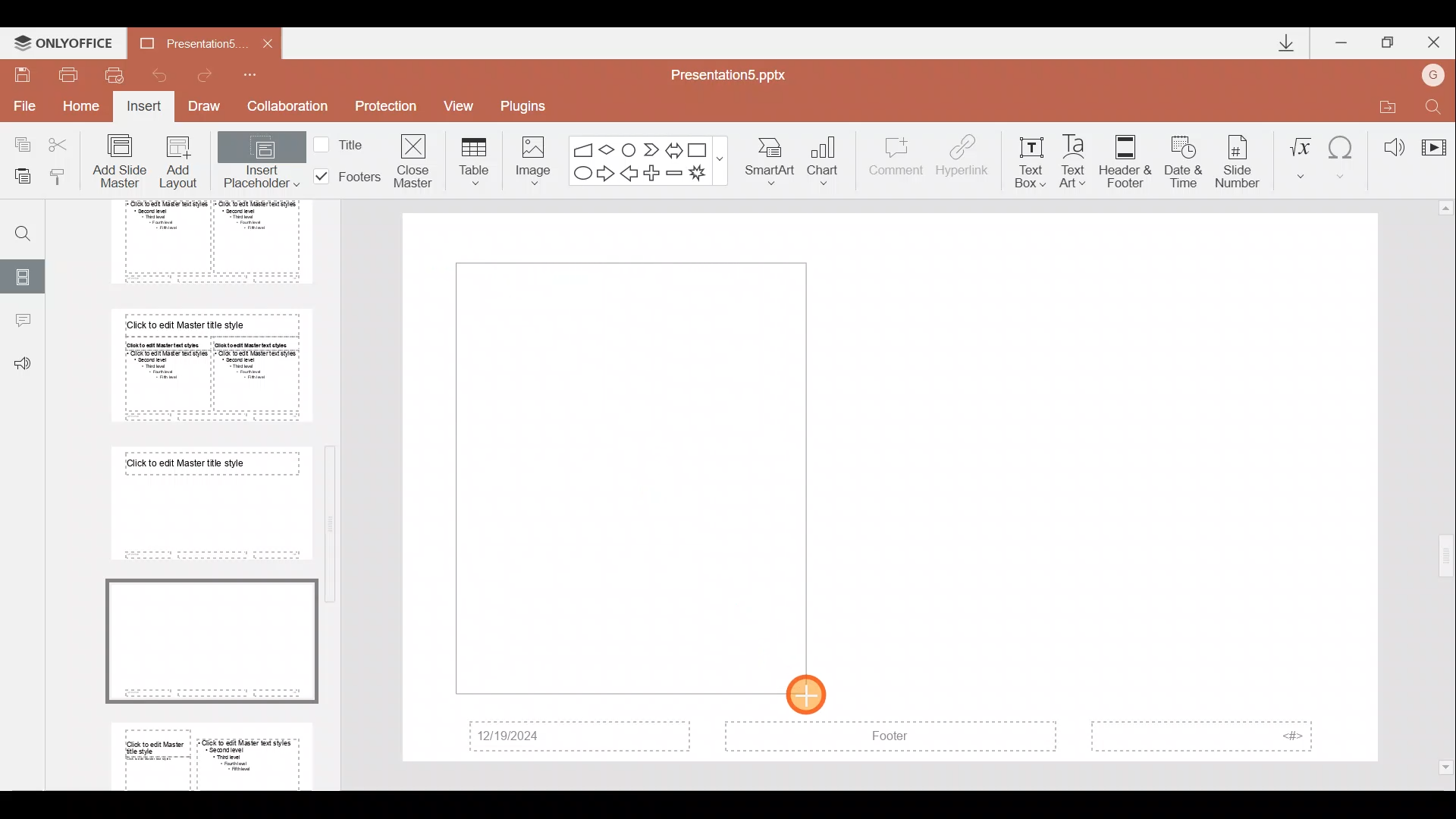 This screenshot has height=819, width=1456. Describe the element at coordinates (63, 39) in the screenshot. I see `ONLYOFFICE` at that location.